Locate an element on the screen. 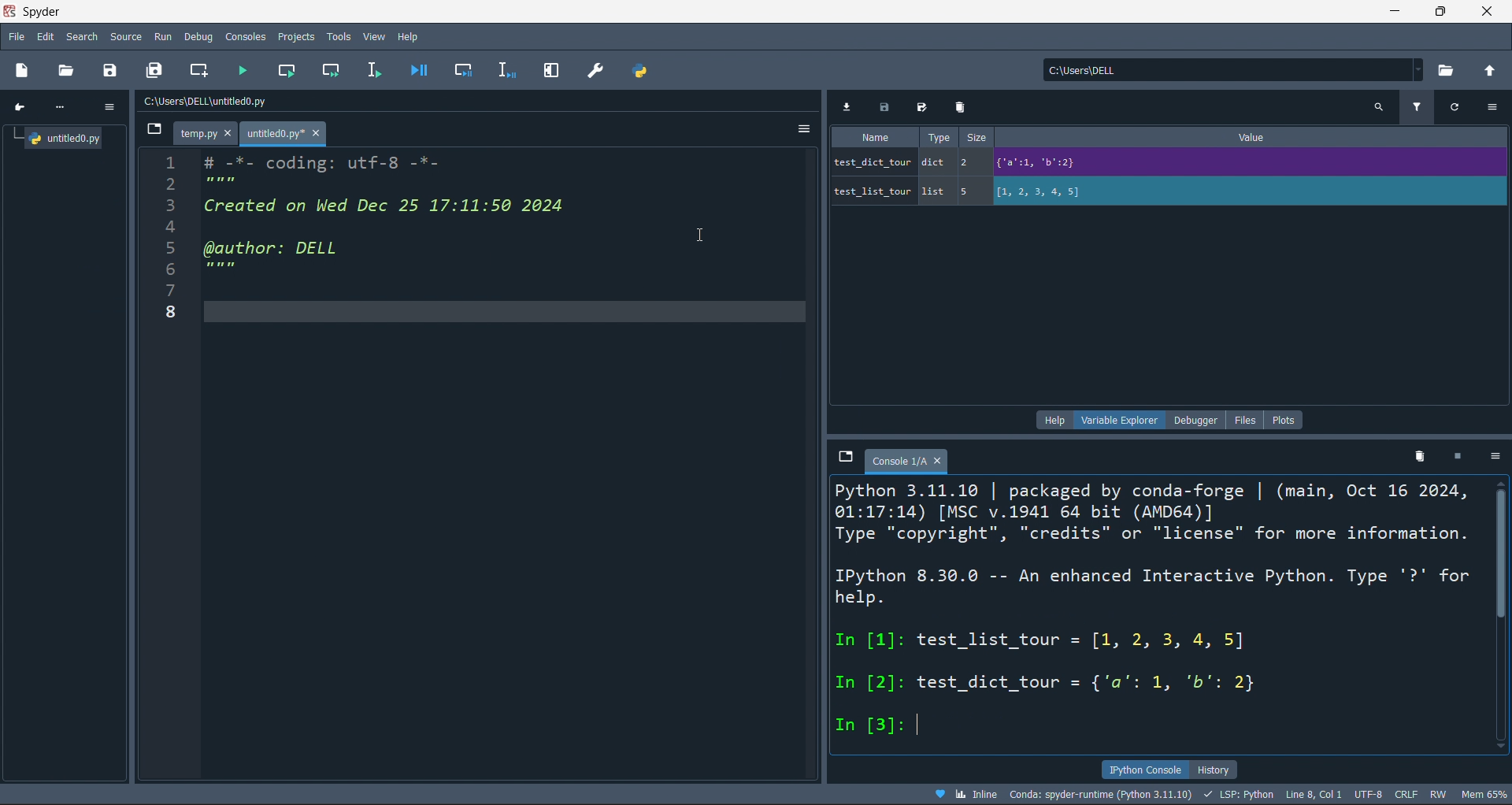  run cell and move is located at coordinates (333, 71).